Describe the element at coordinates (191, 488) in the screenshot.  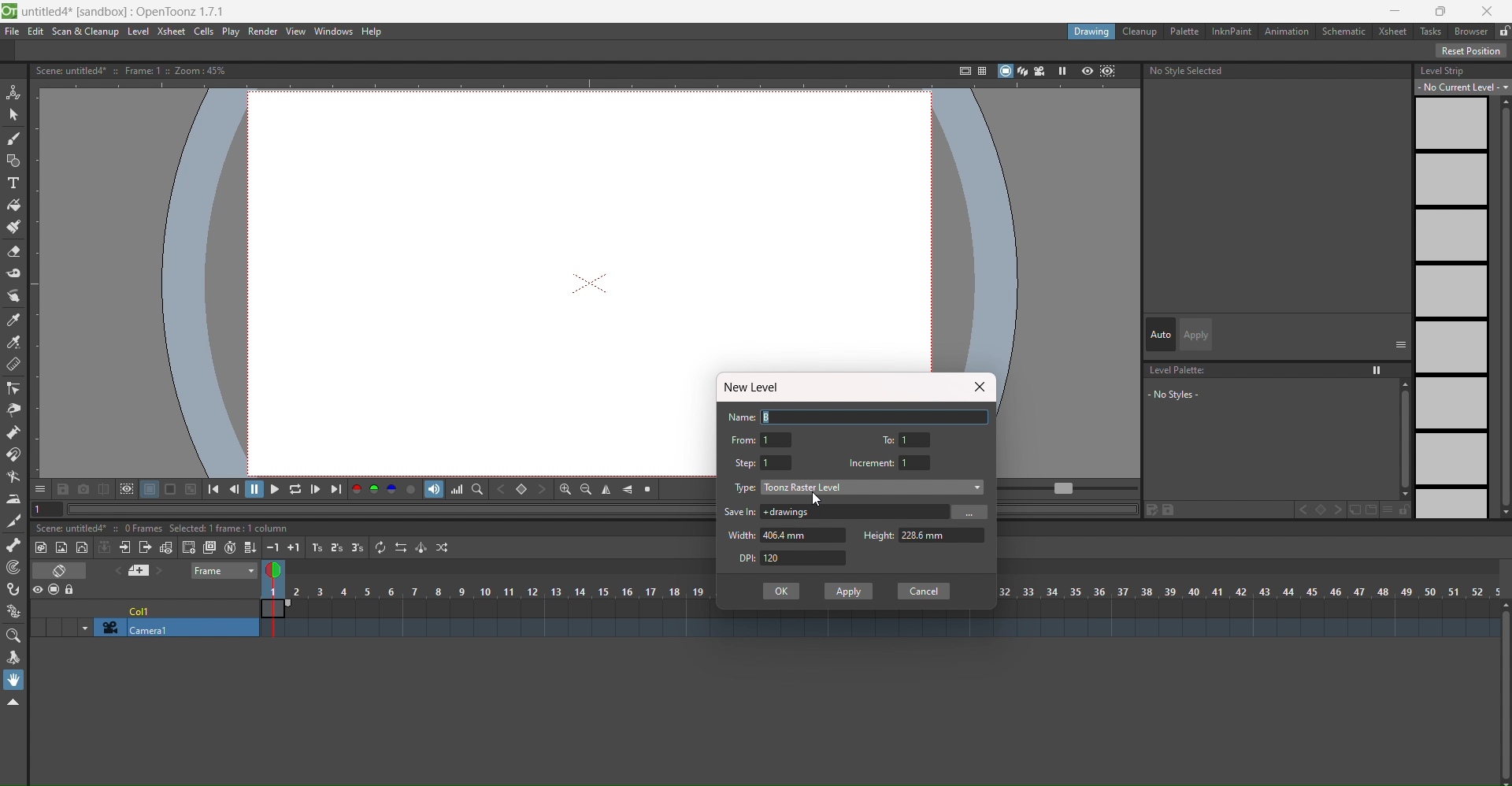
I see `tool` at that location.